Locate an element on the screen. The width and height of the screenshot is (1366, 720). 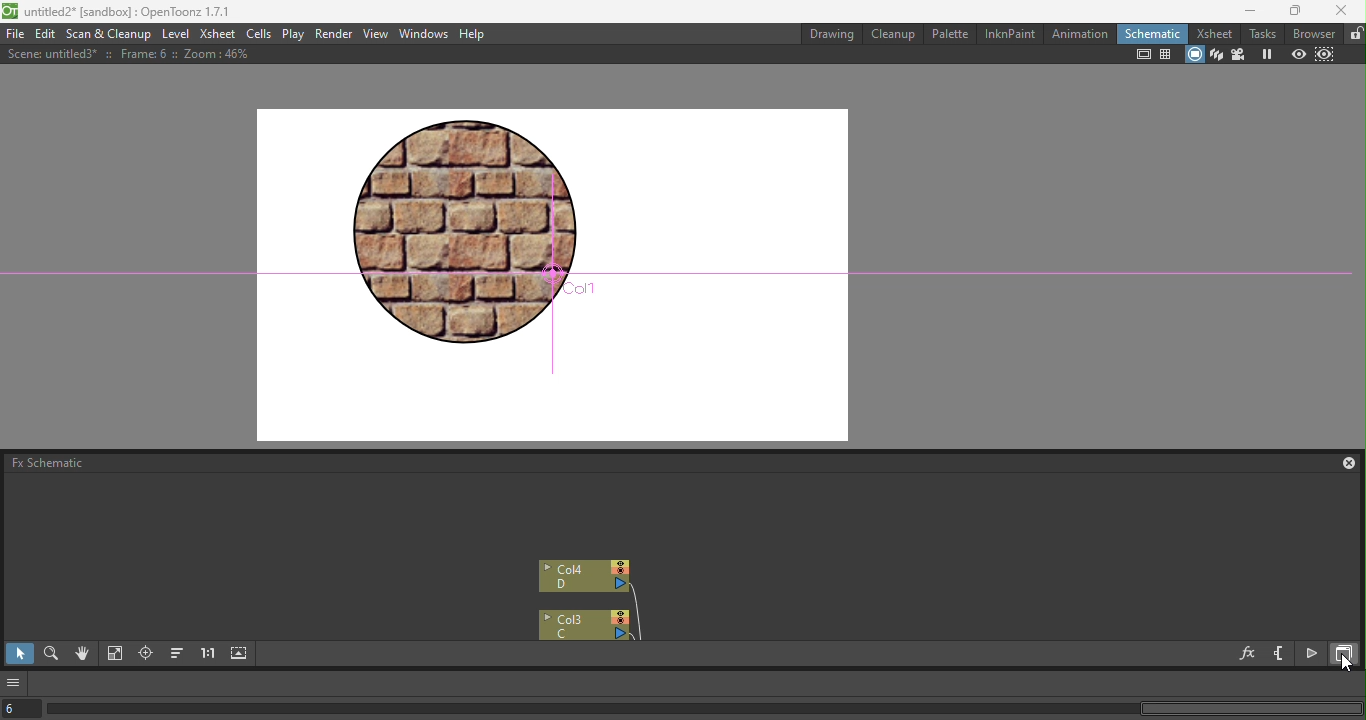
Lock rooms tab is located at coordinates (1355, 34).